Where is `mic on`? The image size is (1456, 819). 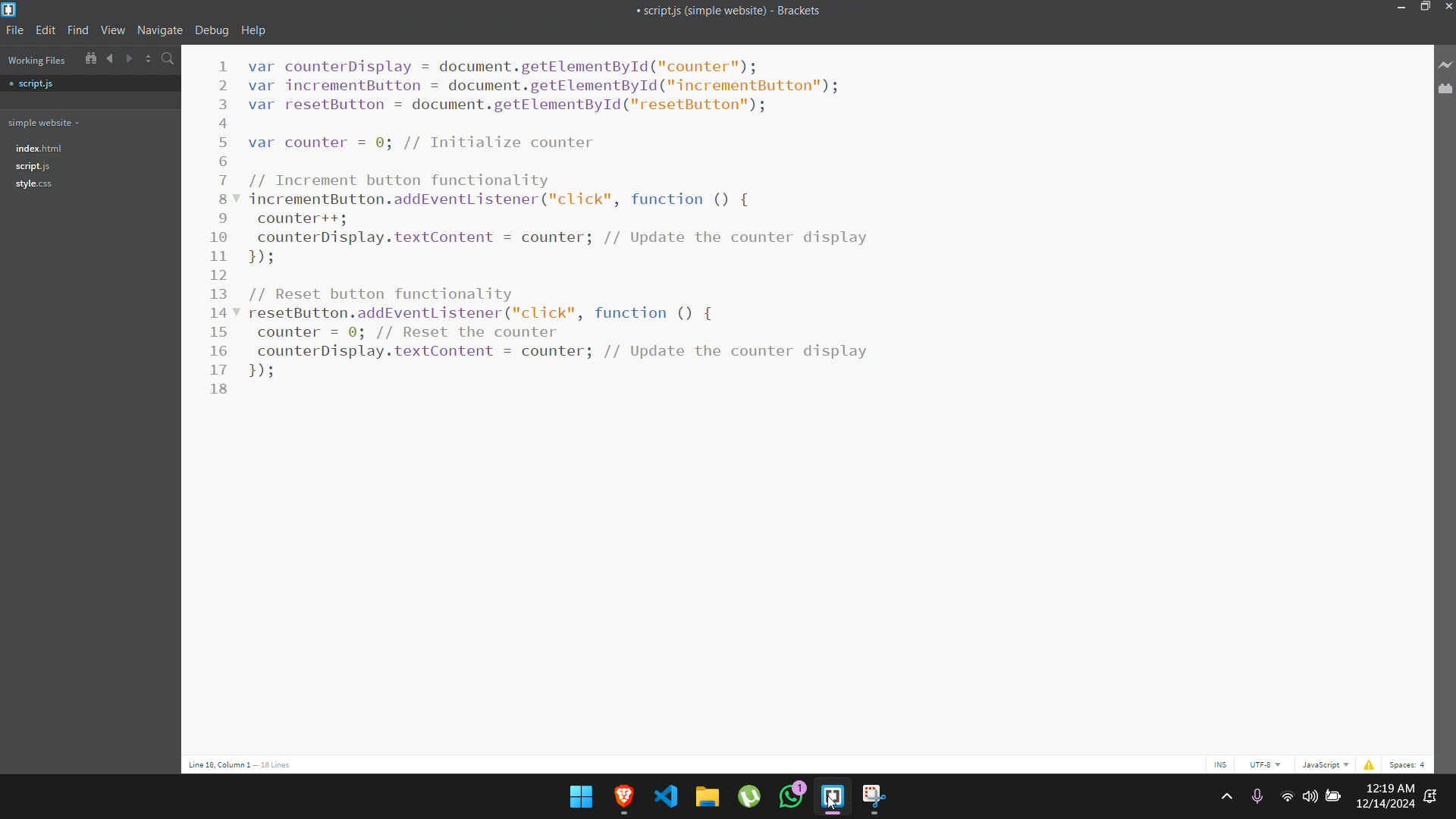
mic on is located at coordinates (1257, 795).